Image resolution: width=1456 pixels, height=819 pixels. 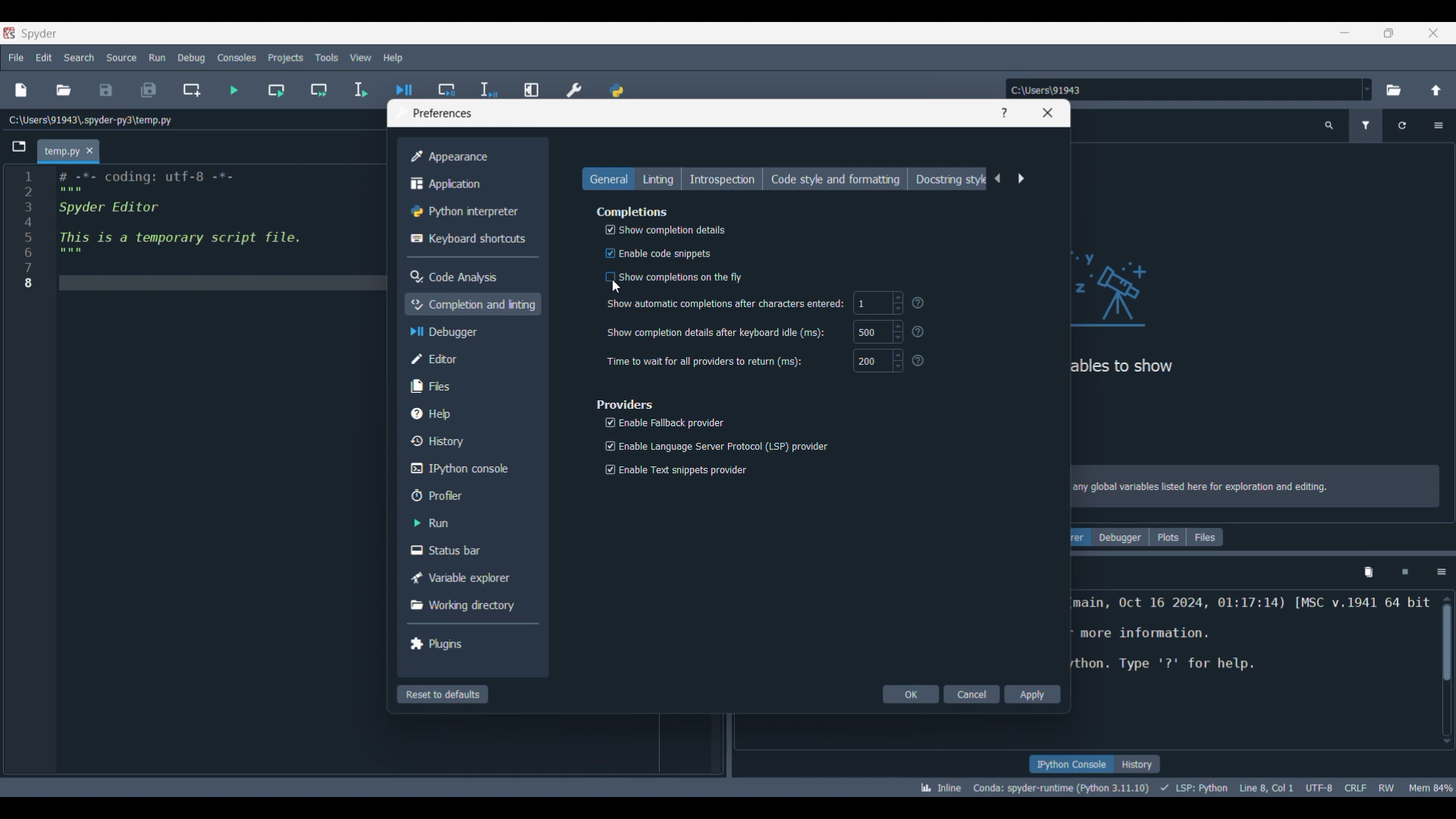 What do you see at coordinates (469, 239) in the screenshot?
I see `Keyboard shortcuts` at bounding box center [469, 239].